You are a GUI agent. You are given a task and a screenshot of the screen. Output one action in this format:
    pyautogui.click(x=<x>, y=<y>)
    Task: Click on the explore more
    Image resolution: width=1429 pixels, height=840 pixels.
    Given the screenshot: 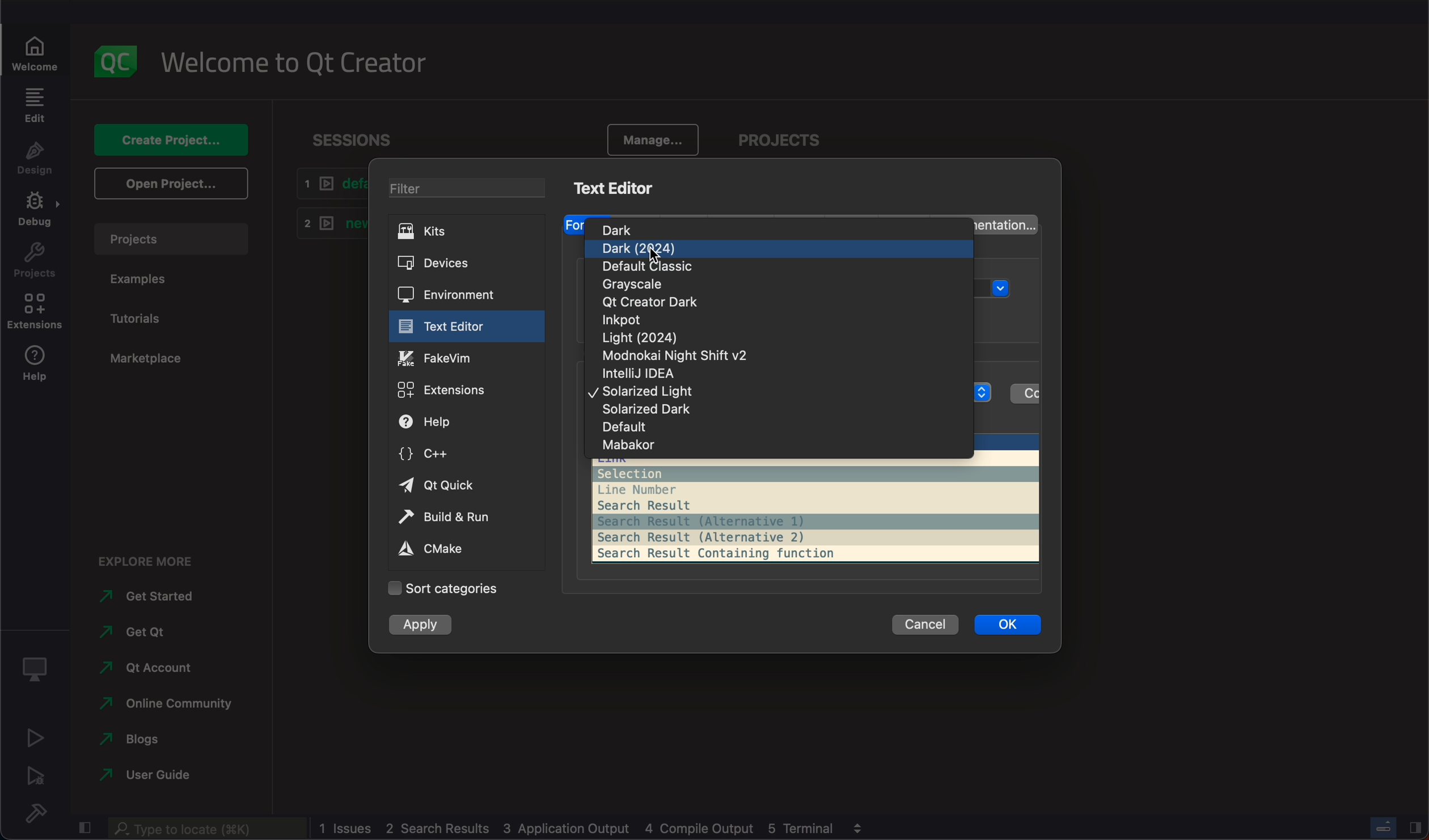 What is the action you would take?
    pyautogui.click(x=150, y=562)
    